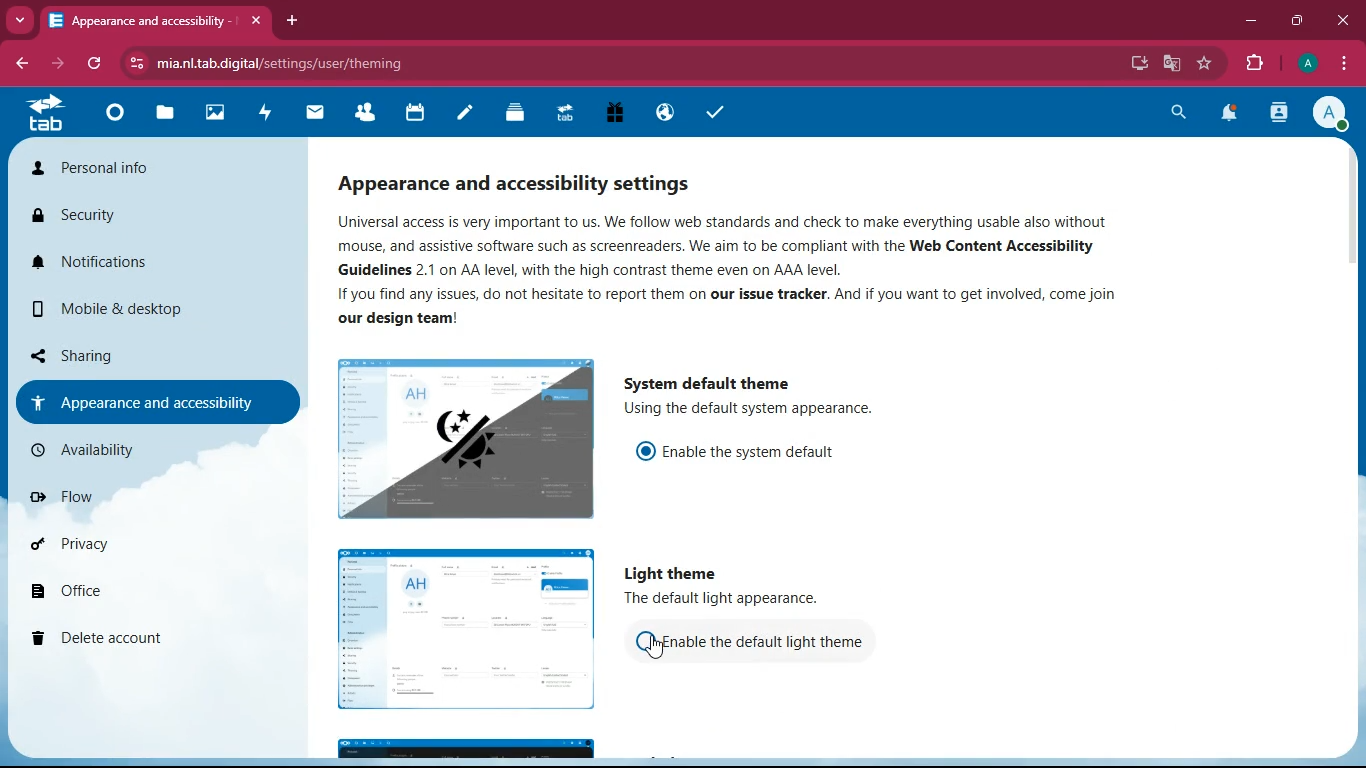  What do you see at coordinates (645, 452) in the screenshot?
I see `on` at bounding box center [645, 452].